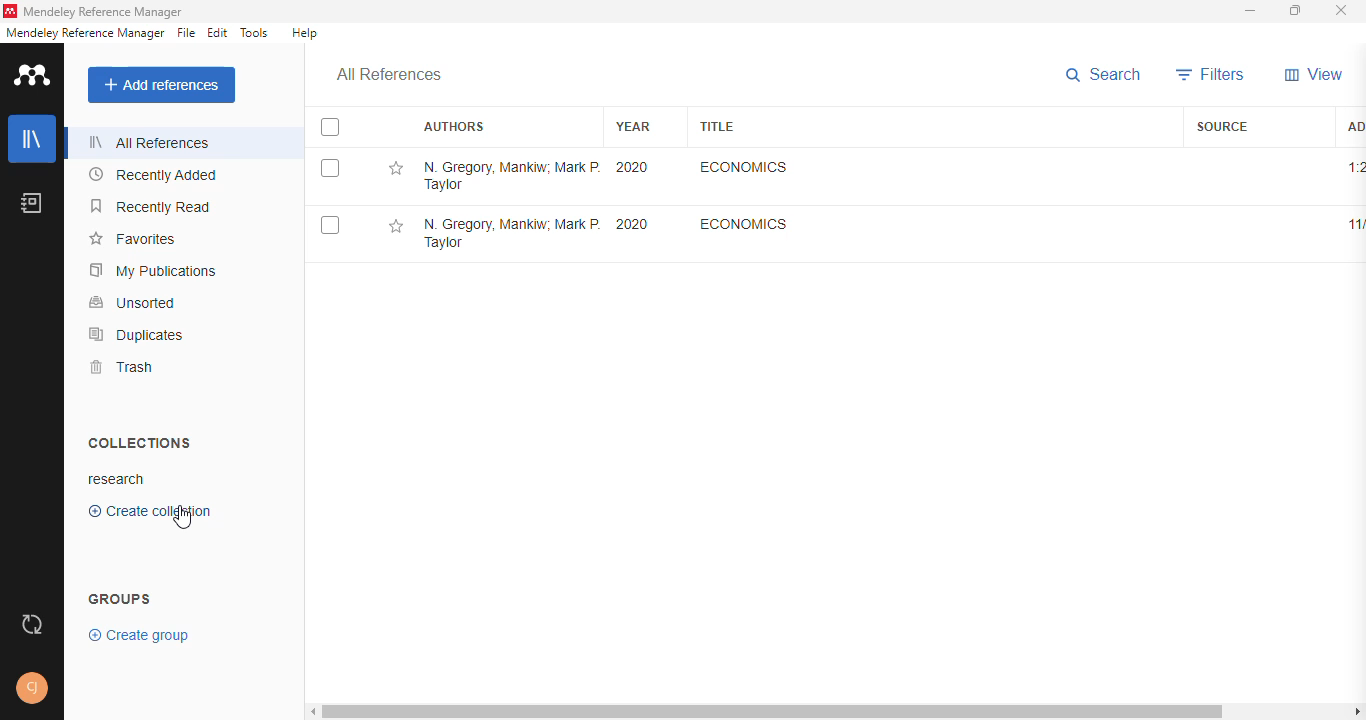  Describe the element at coordinates (1355, 167) in the screenshot. I see `1:20` at that location.